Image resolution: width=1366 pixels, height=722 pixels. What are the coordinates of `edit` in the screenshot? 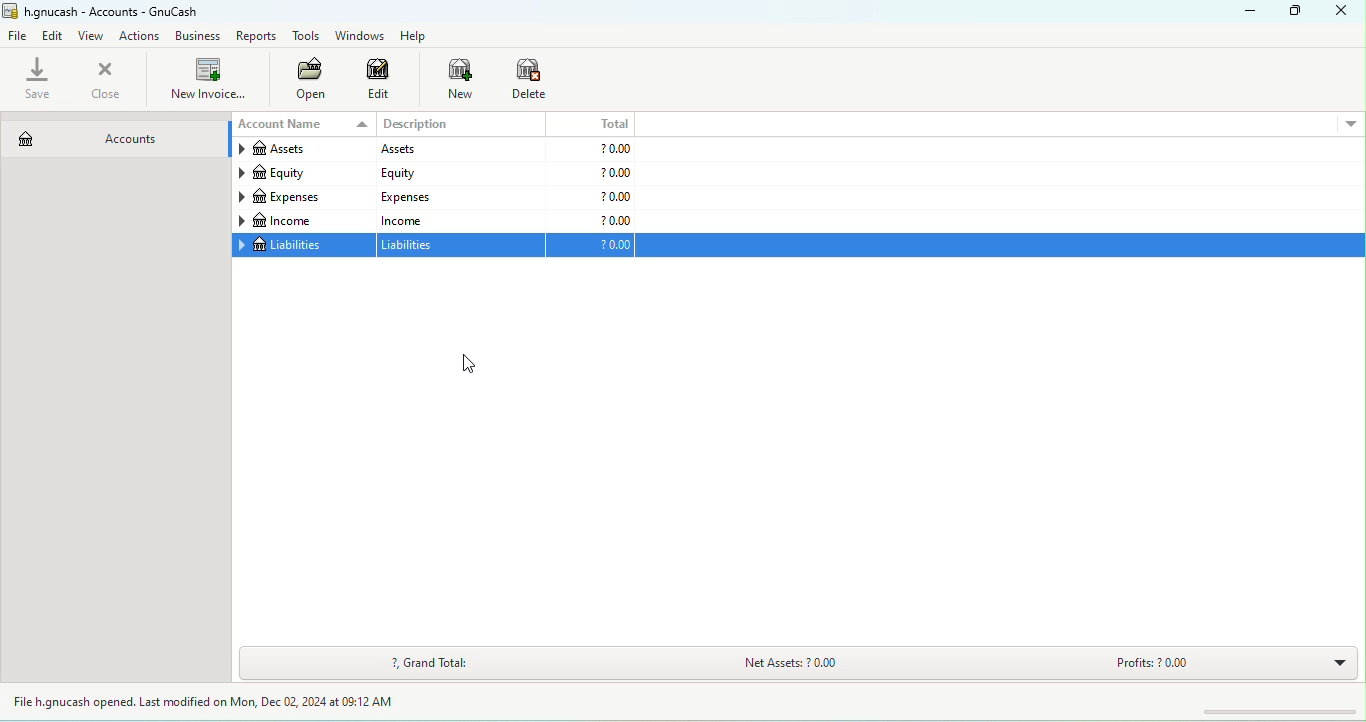 It's located at (54, 35).